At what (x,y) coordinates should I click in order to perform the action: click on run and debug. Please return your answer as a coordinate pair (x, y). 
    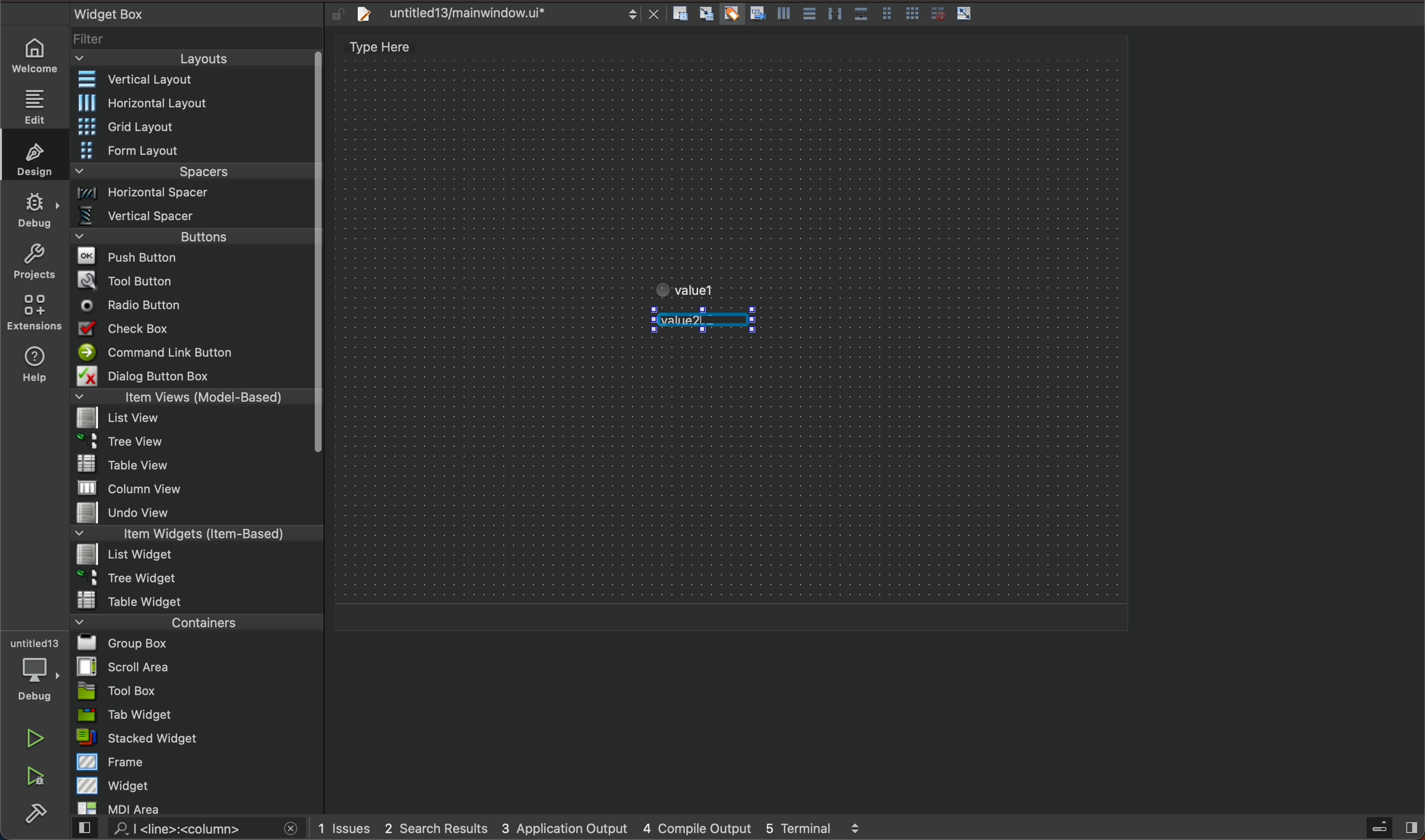
    Looking at the image, I should click on (37, 778).